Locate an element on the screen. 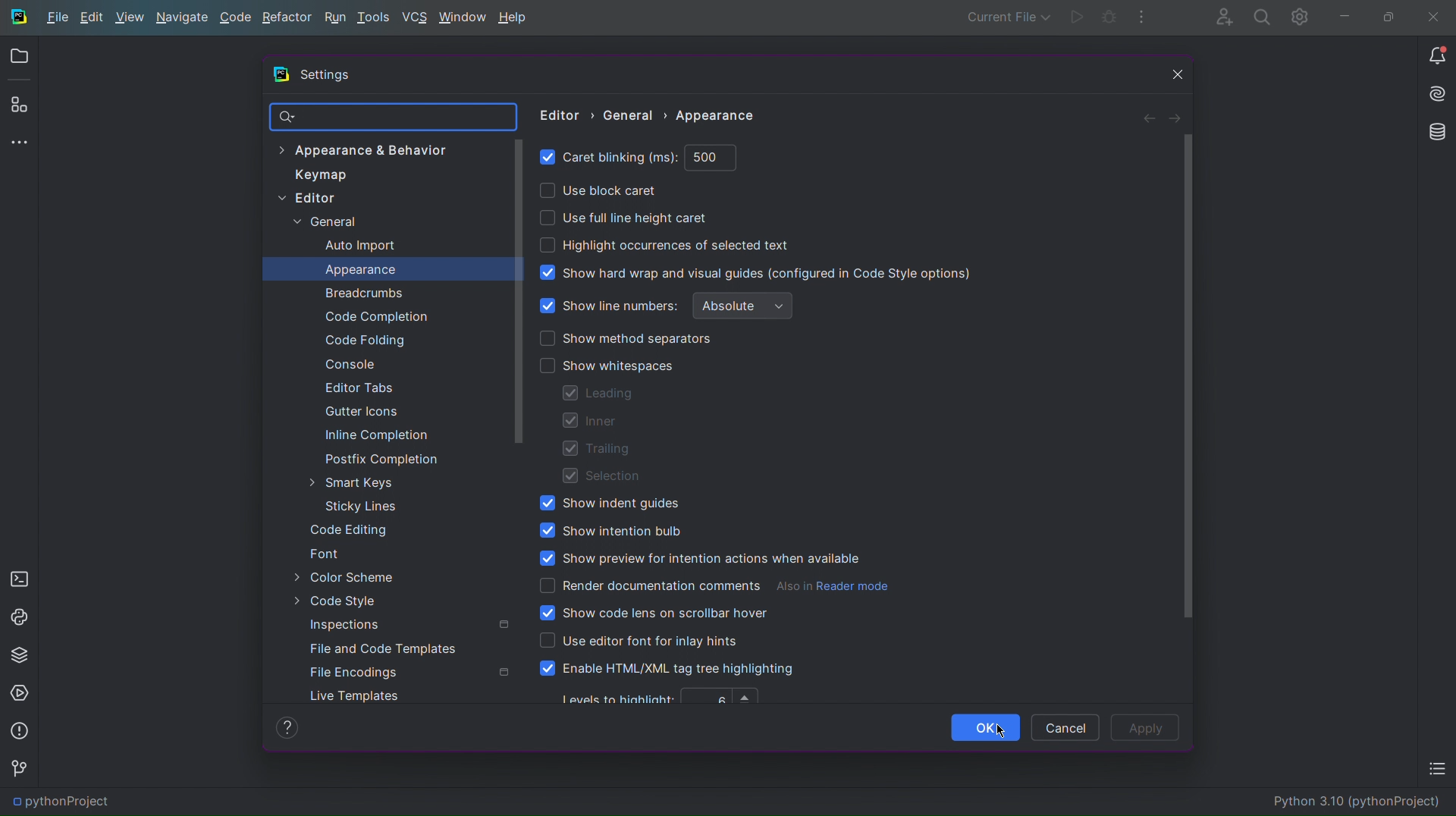  Inspections is located at coordinates (350, 626).